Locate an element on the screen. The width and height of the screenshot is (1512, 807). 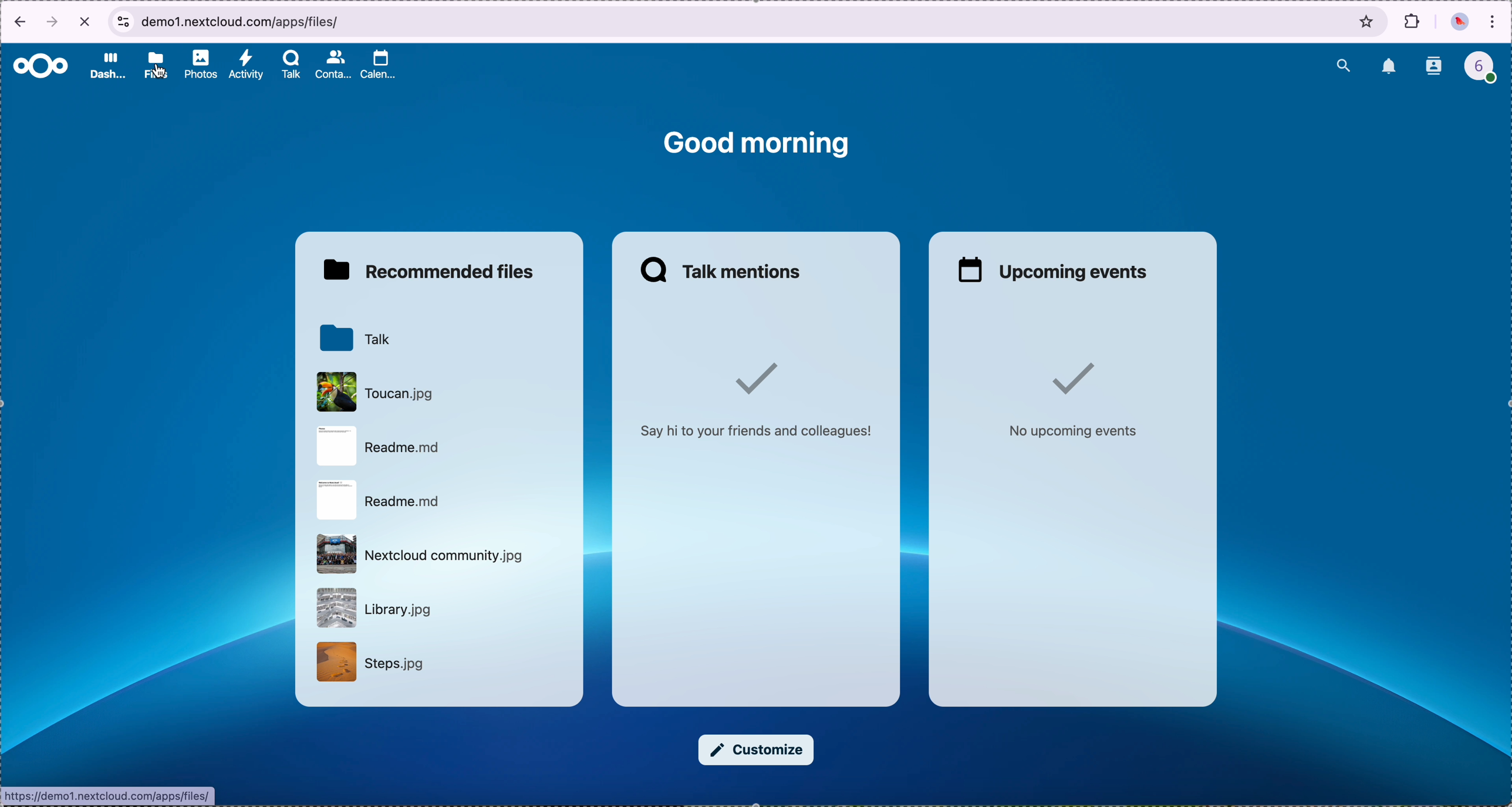
say hi to your friends and colleagues is located at coordinates (754, 391).